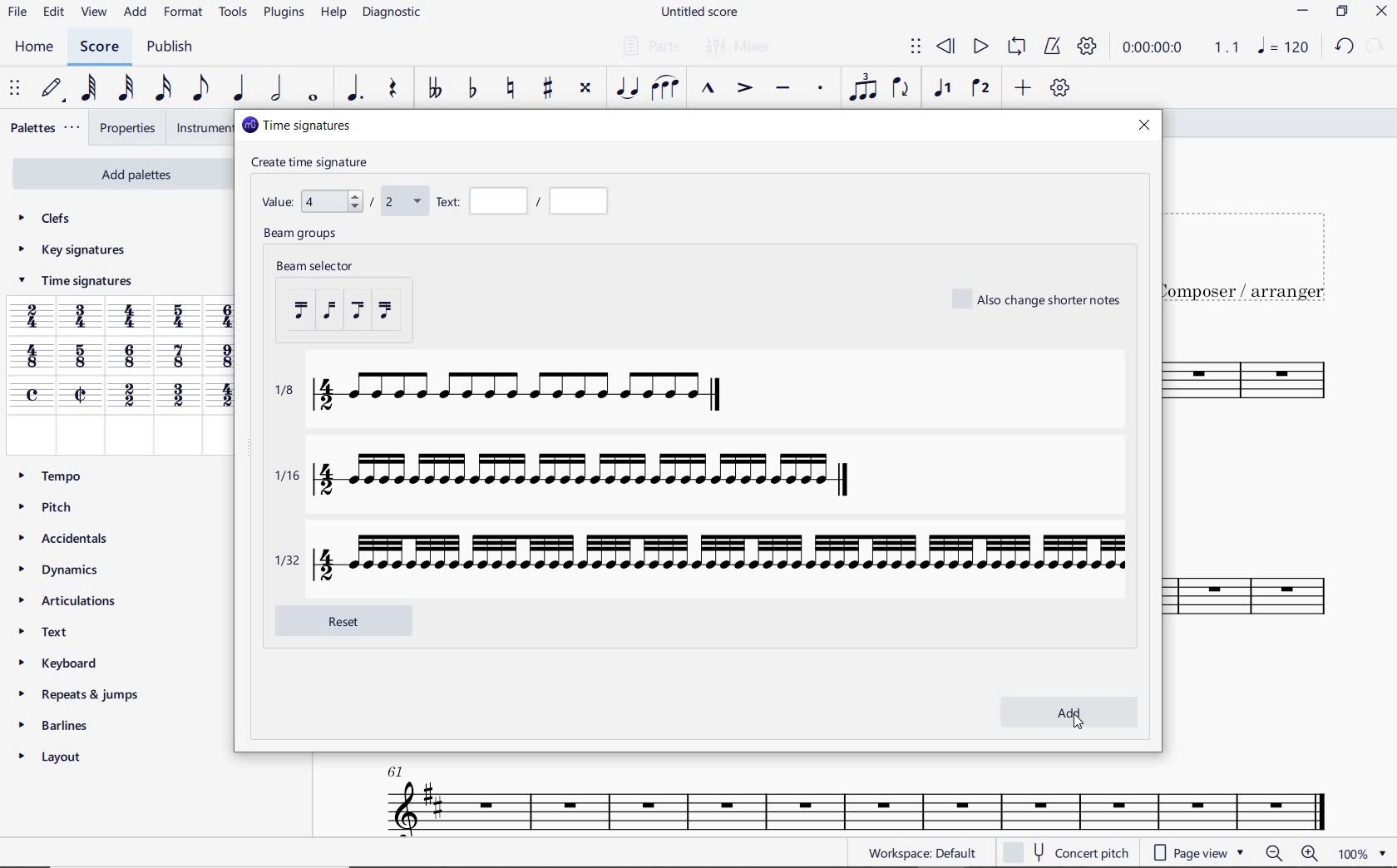 The width and height of the screenshot is (1397, 868). Describe the element at coordinates (1342, 45) in the screenshot. I see `UNDO` at that location.